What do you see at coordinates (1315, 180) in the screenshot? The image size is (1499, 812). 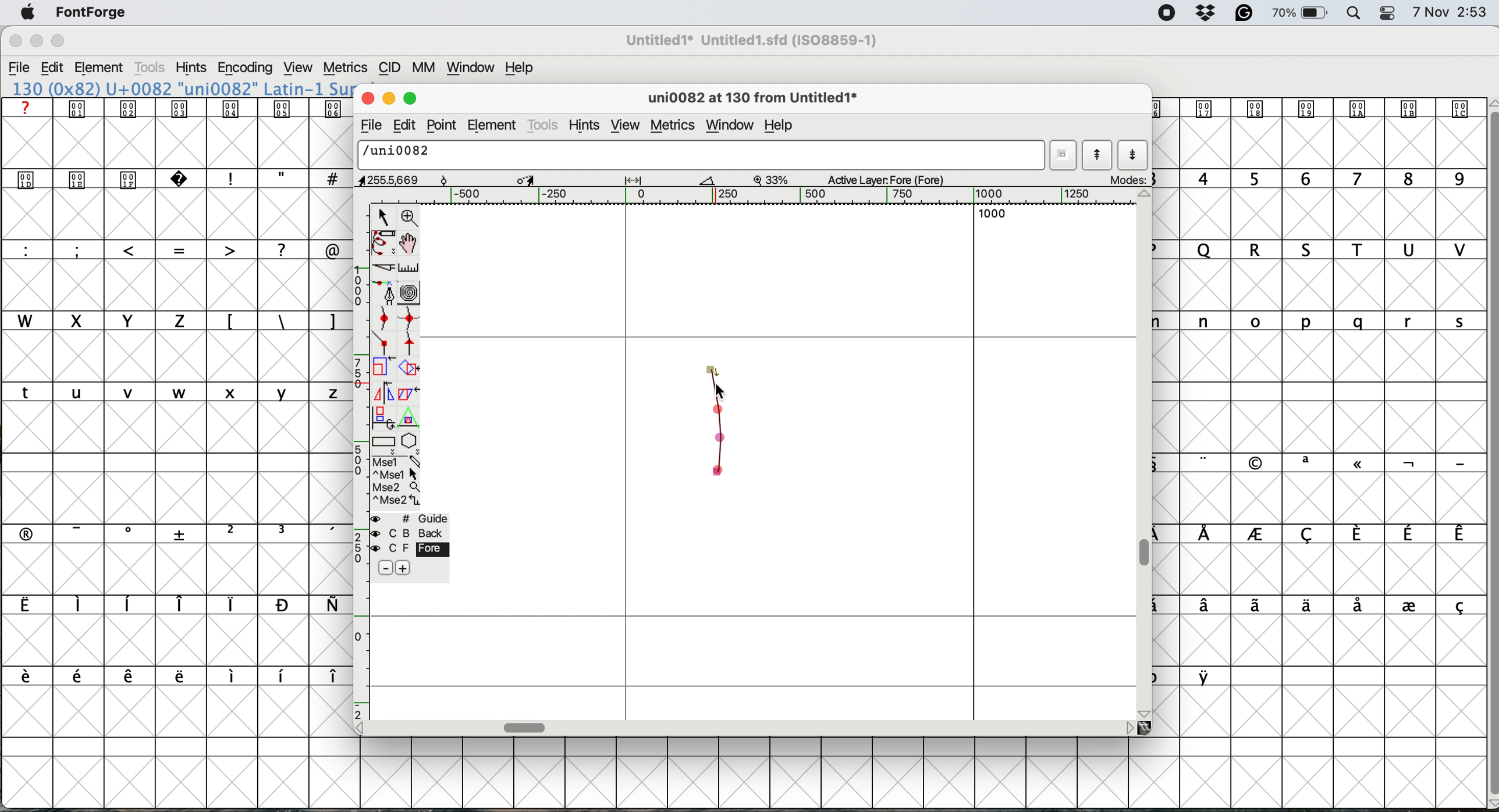 I see `digits` at bounding box center [1315, 180].